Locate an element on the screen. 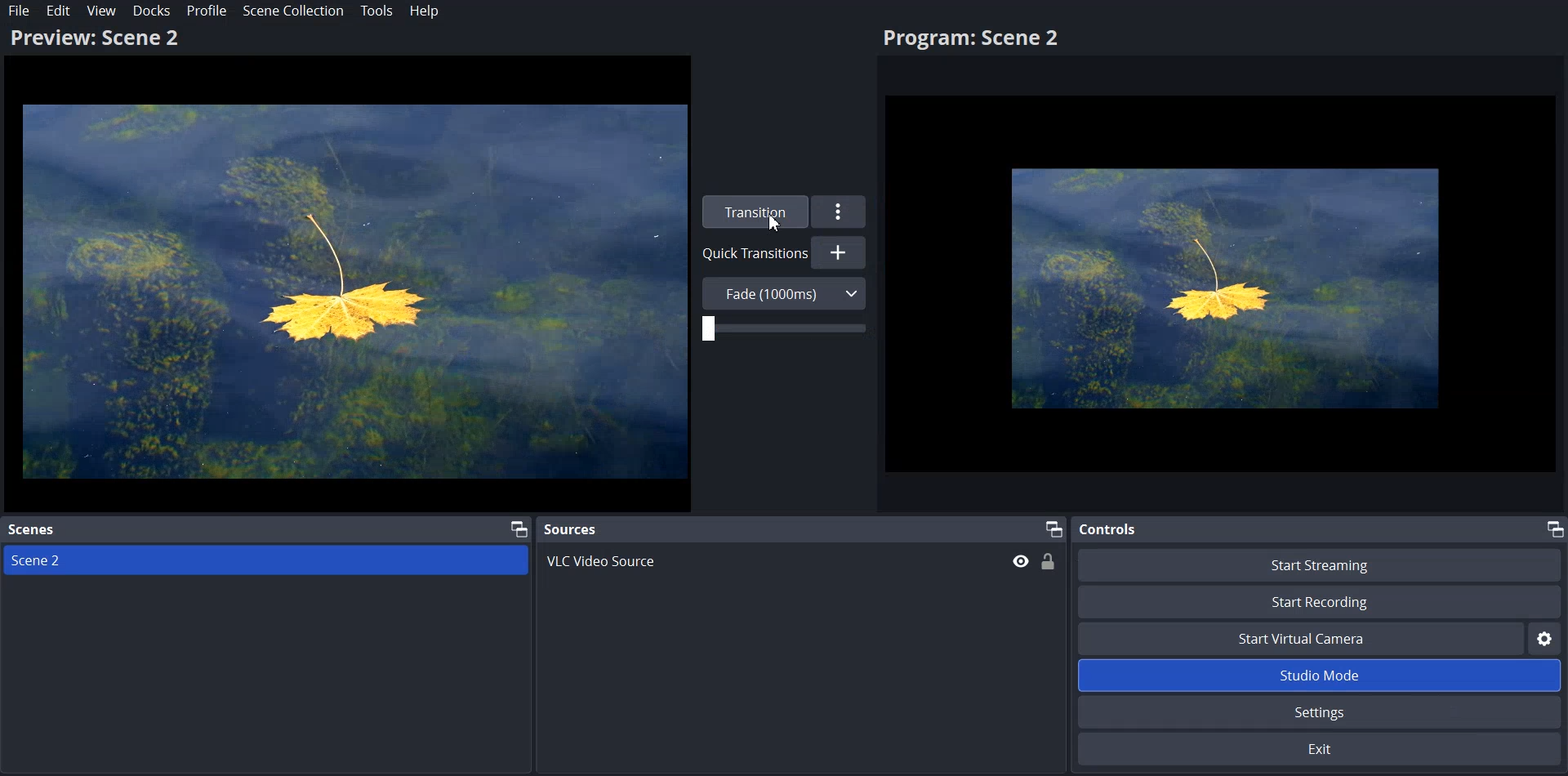 The height and width of the screenshot is (776, 1568). Preview: Scene 2 is located at coordinates (103, 41).